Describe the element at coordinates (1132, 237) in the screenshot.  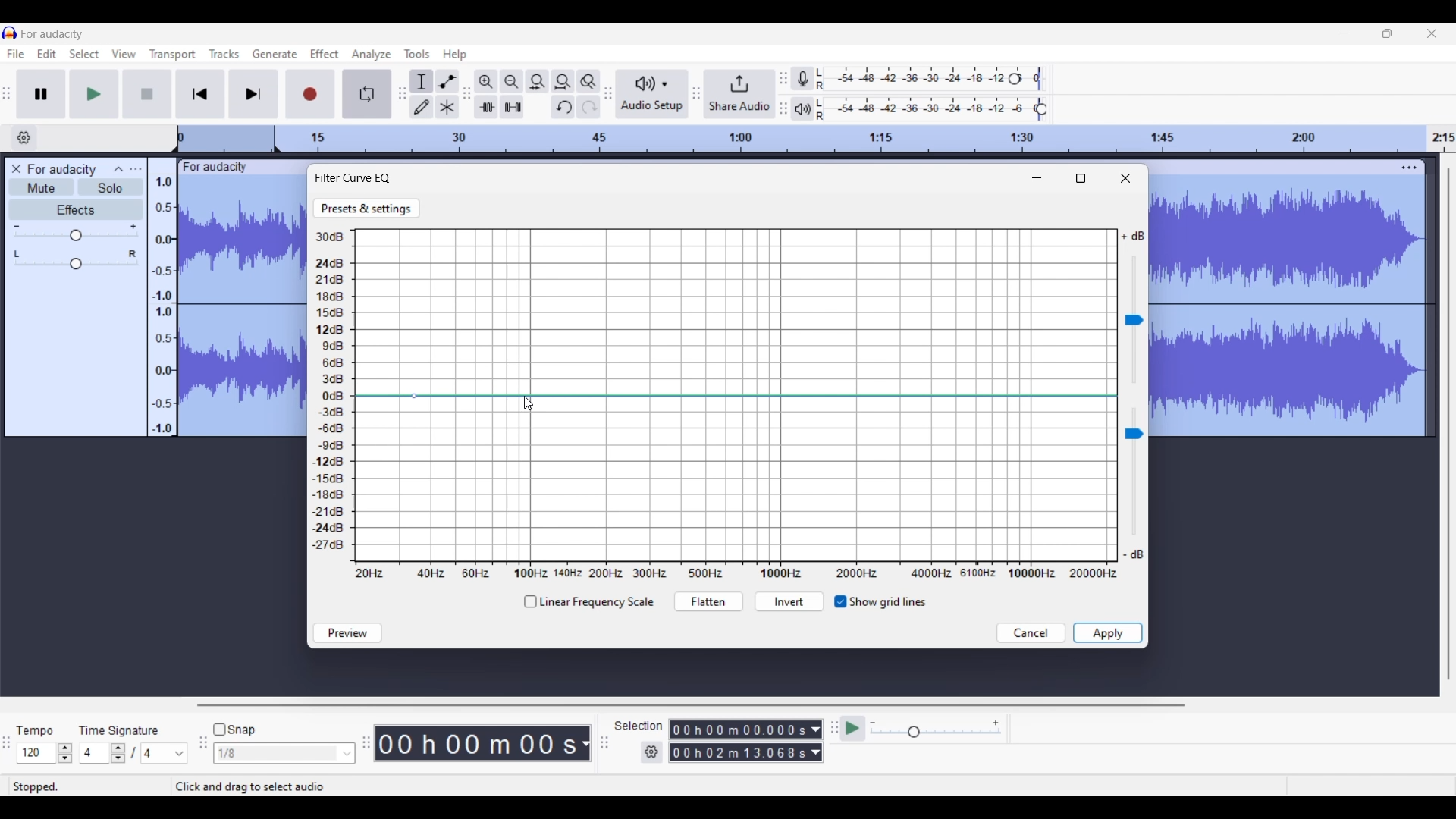
I see `Indicates max. volume` at that location.